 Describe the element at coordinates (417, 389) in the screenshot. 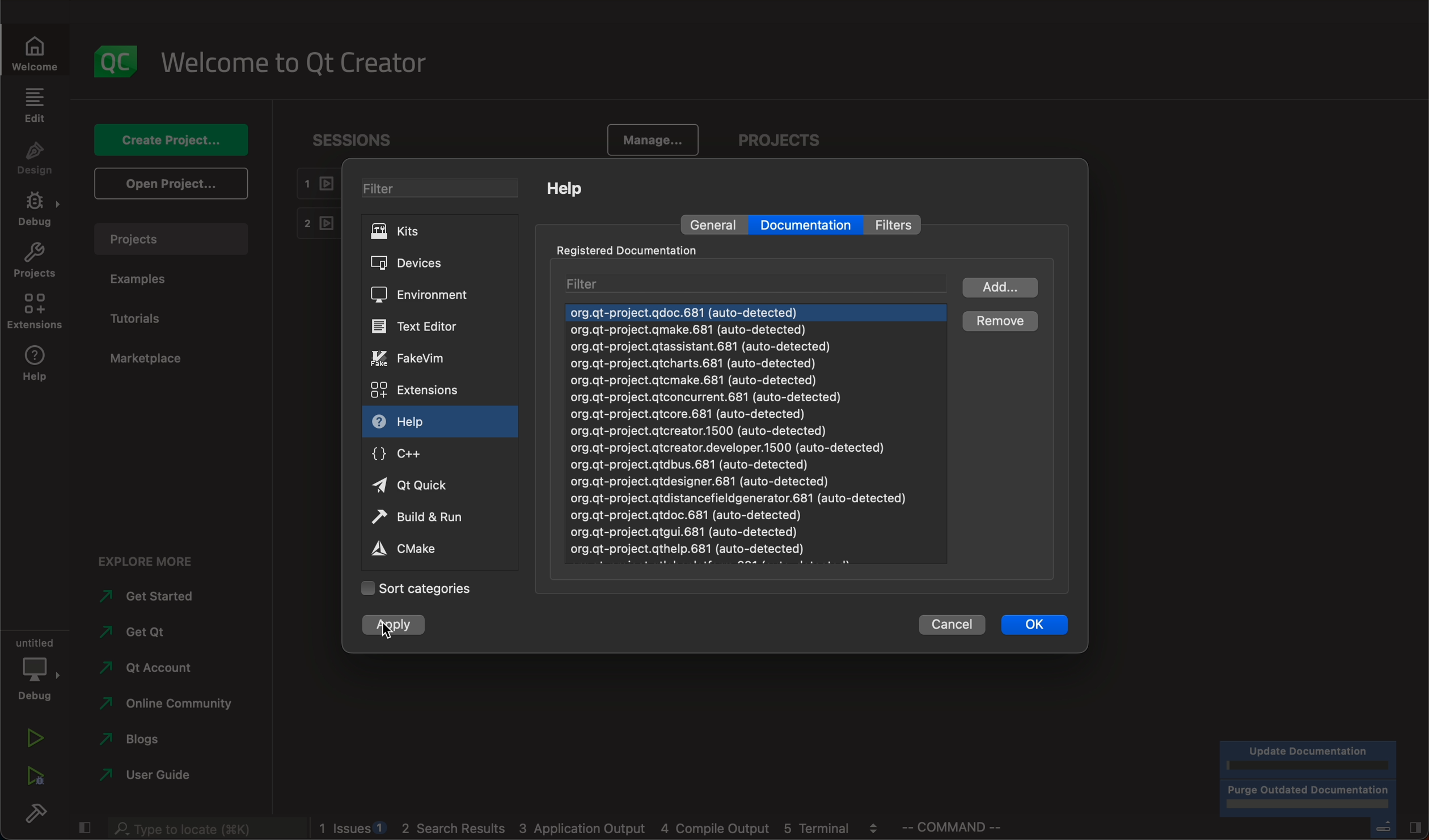

I see `extensions` at that location.